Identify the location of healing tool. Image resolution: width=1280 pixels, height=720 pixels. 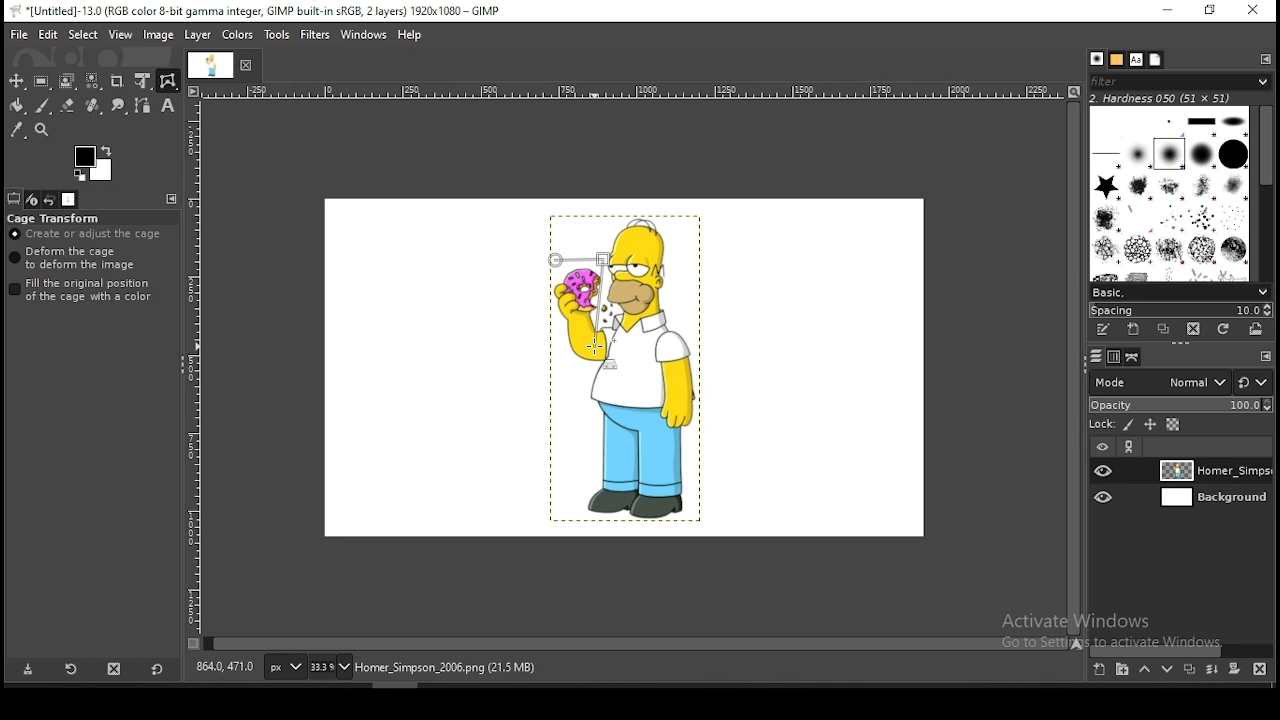
(93, 105).